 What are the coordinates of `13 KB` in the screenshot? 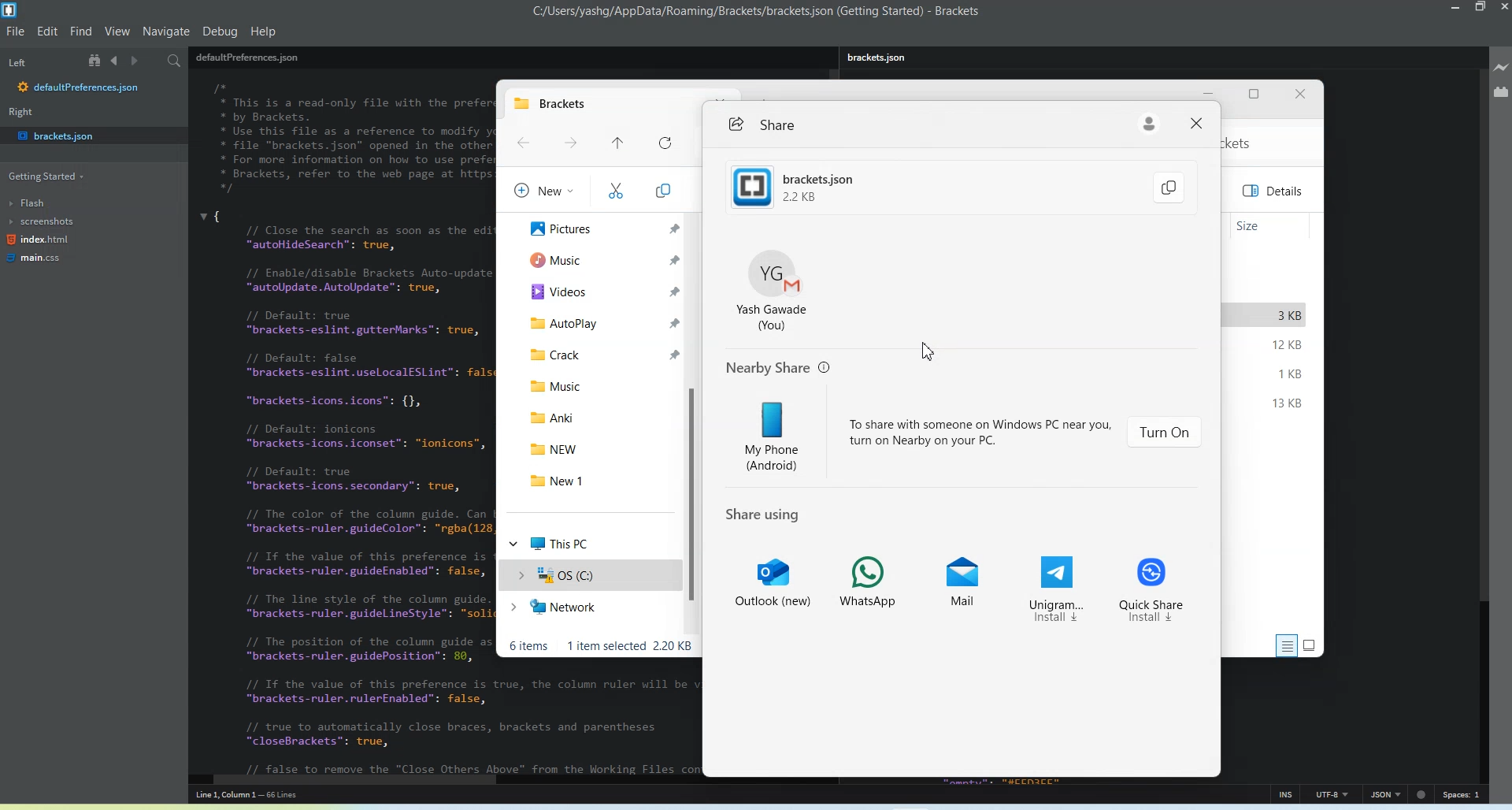 It's located at (1290, 404).